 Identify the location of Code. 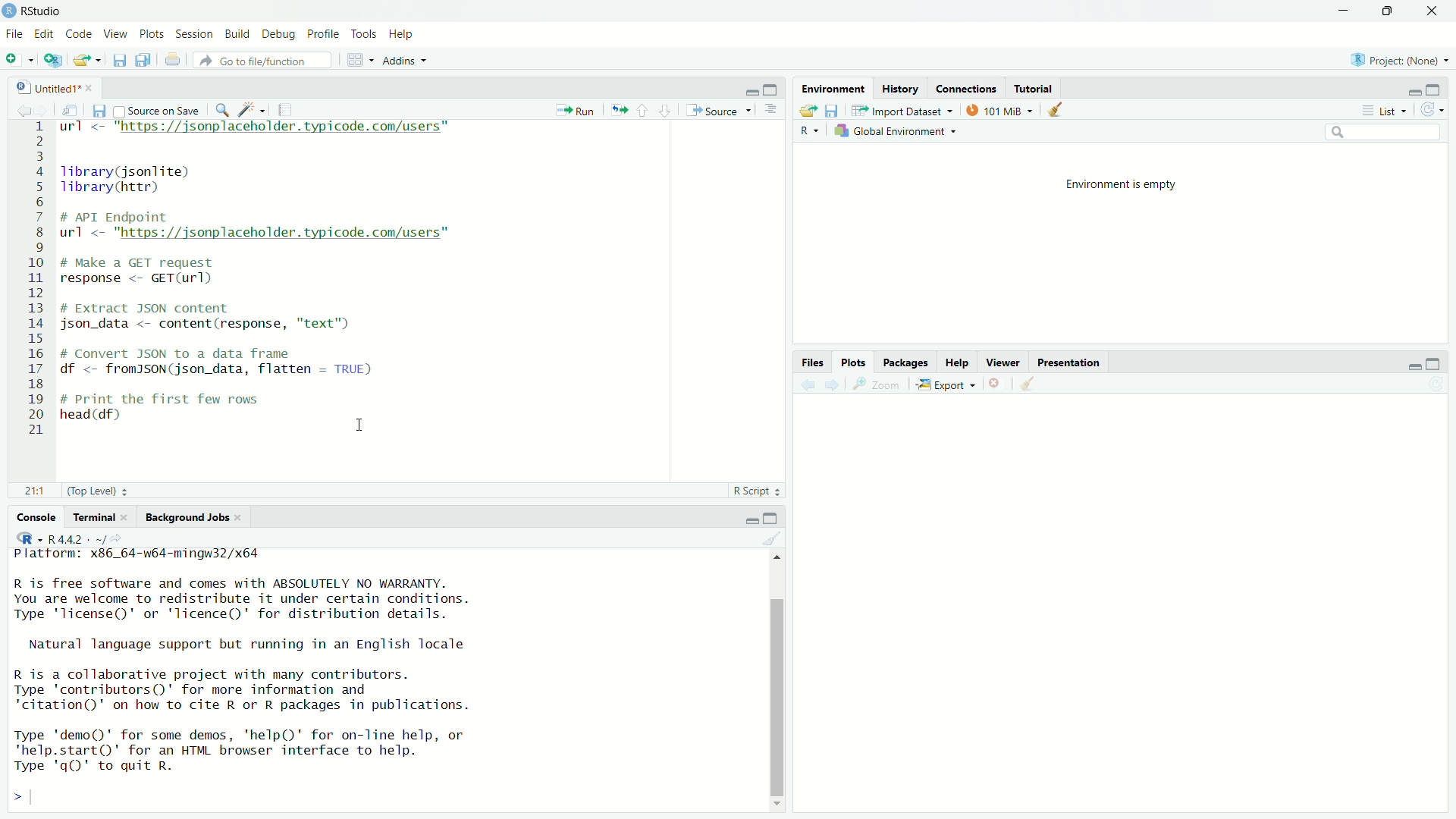
(78, 35).